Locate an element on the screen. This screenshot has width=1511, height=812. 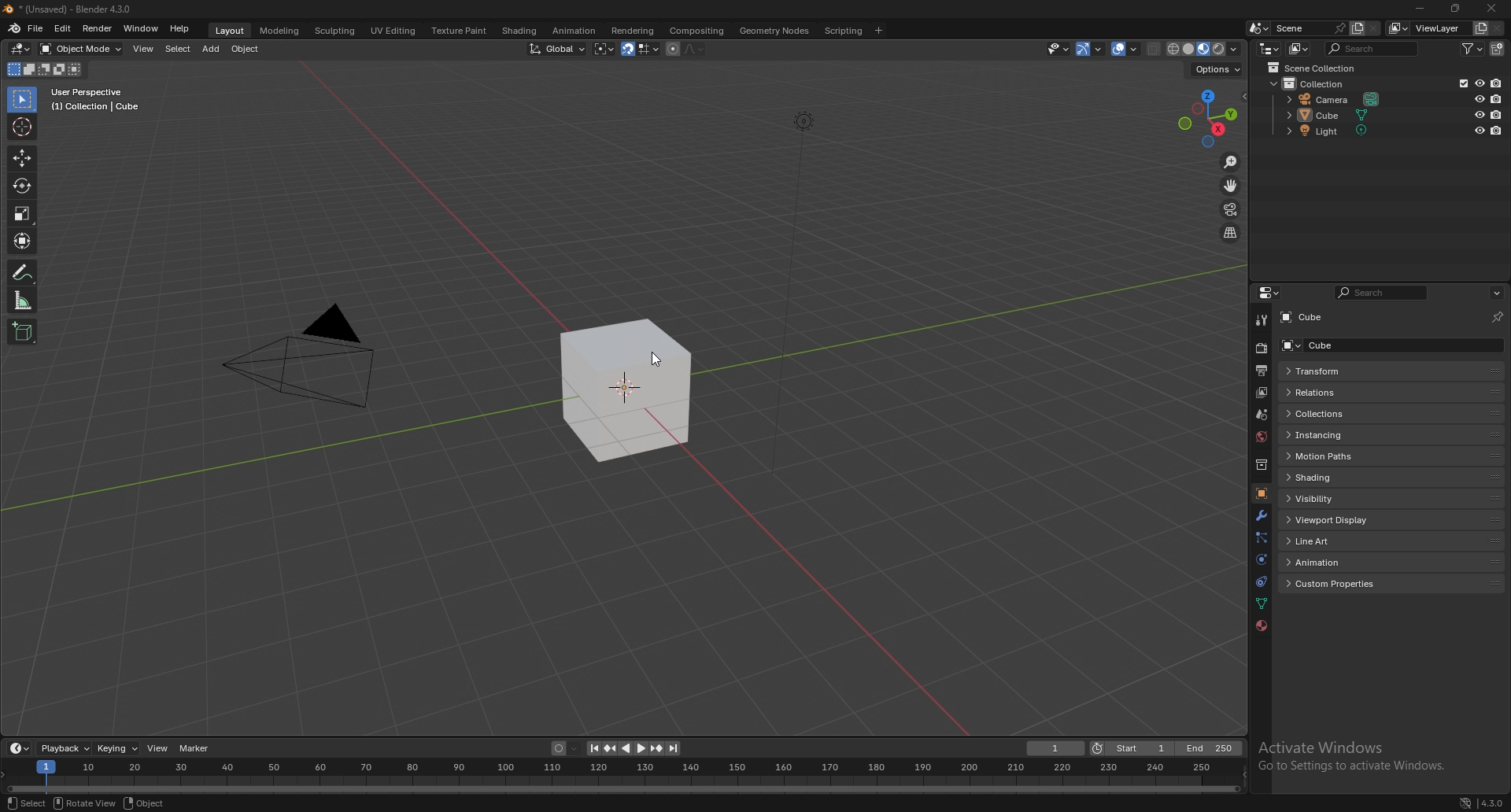
overlays is located at coordinates (1127, 50).